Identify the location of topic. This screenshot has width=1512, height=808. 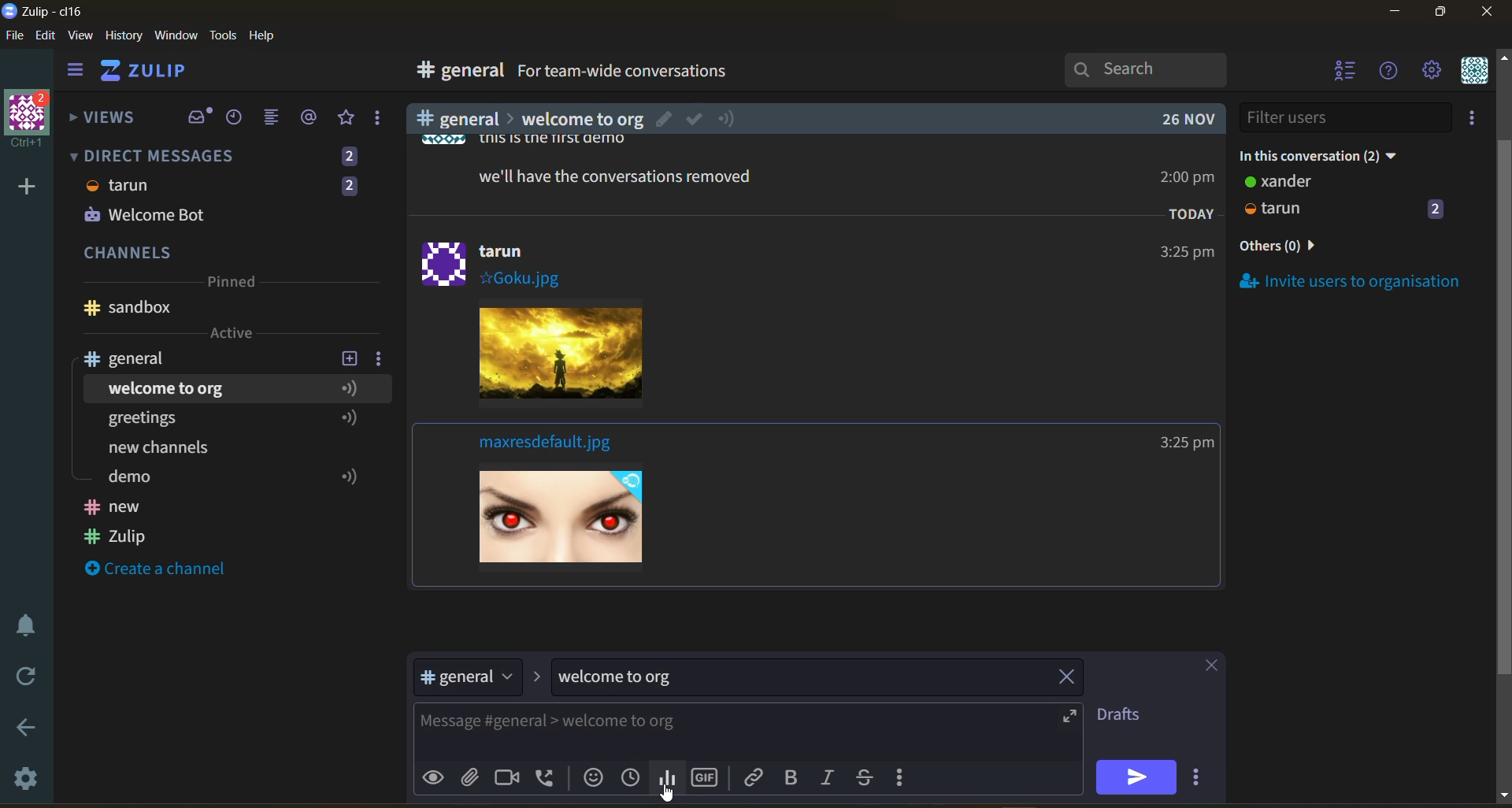
(624, 678).